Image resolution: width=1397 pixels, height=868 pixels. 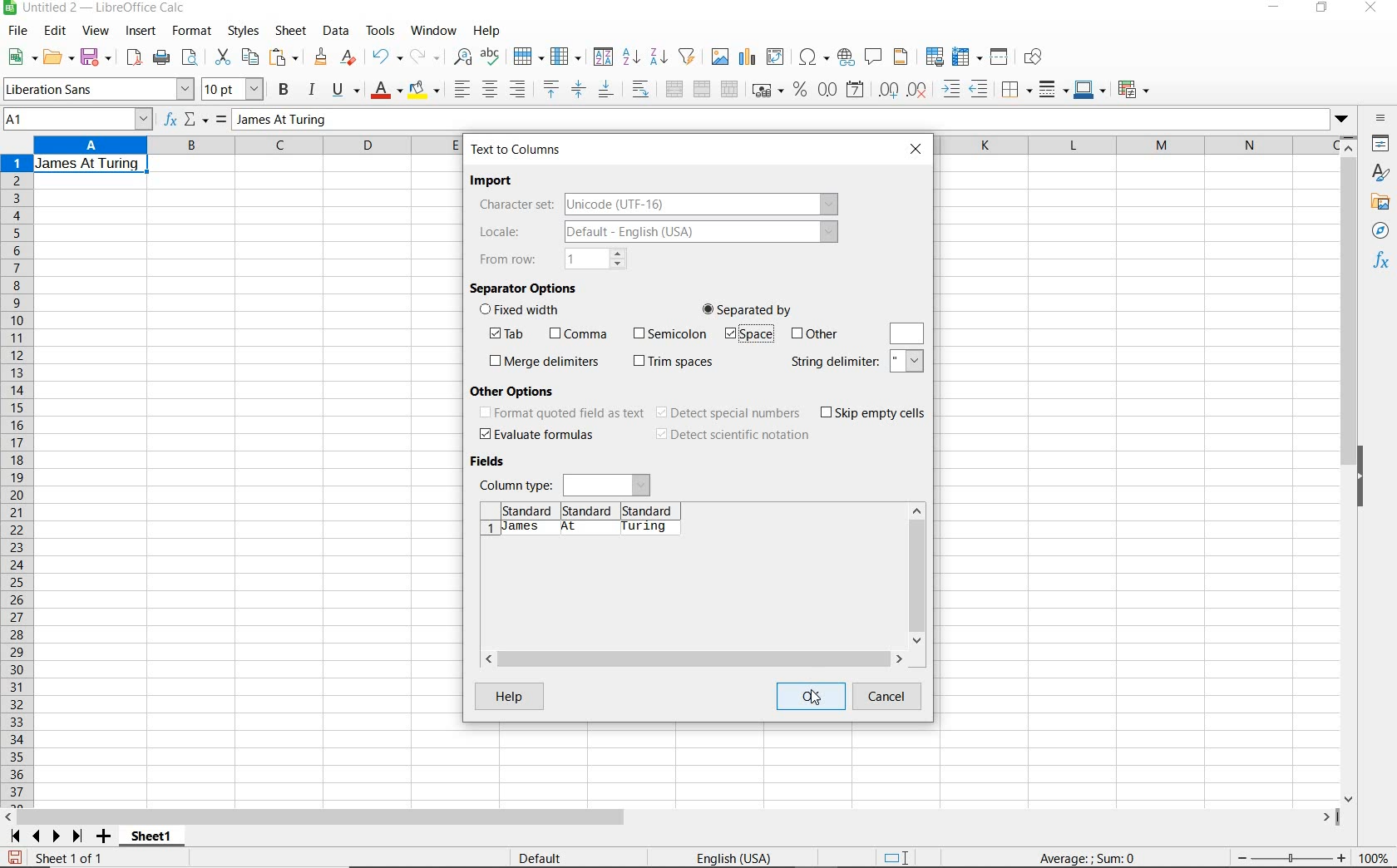 I want to click on spelling, so click(x=490, y=57).